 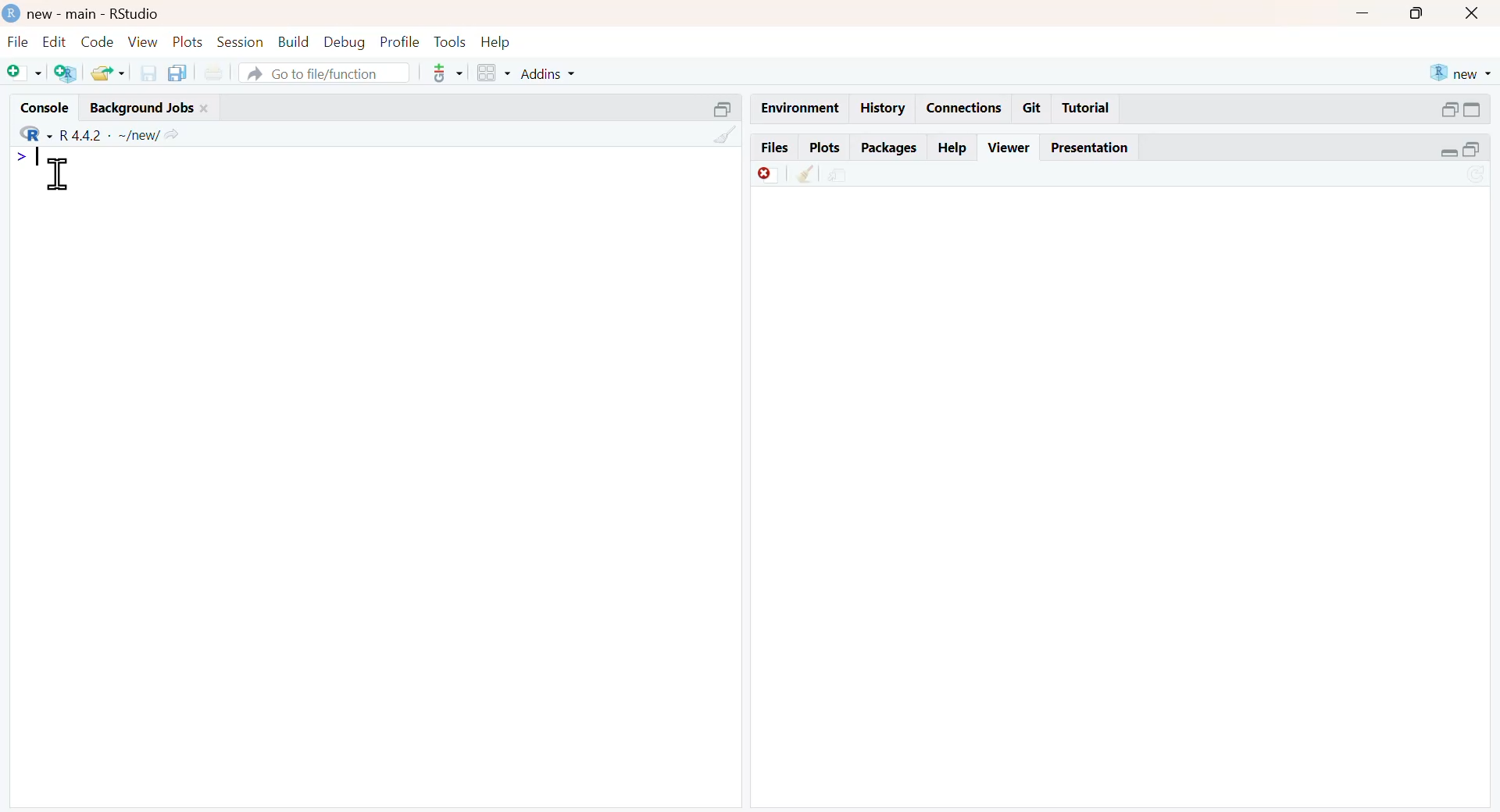 I want to click on maximize, so click(x=1418, y=13).